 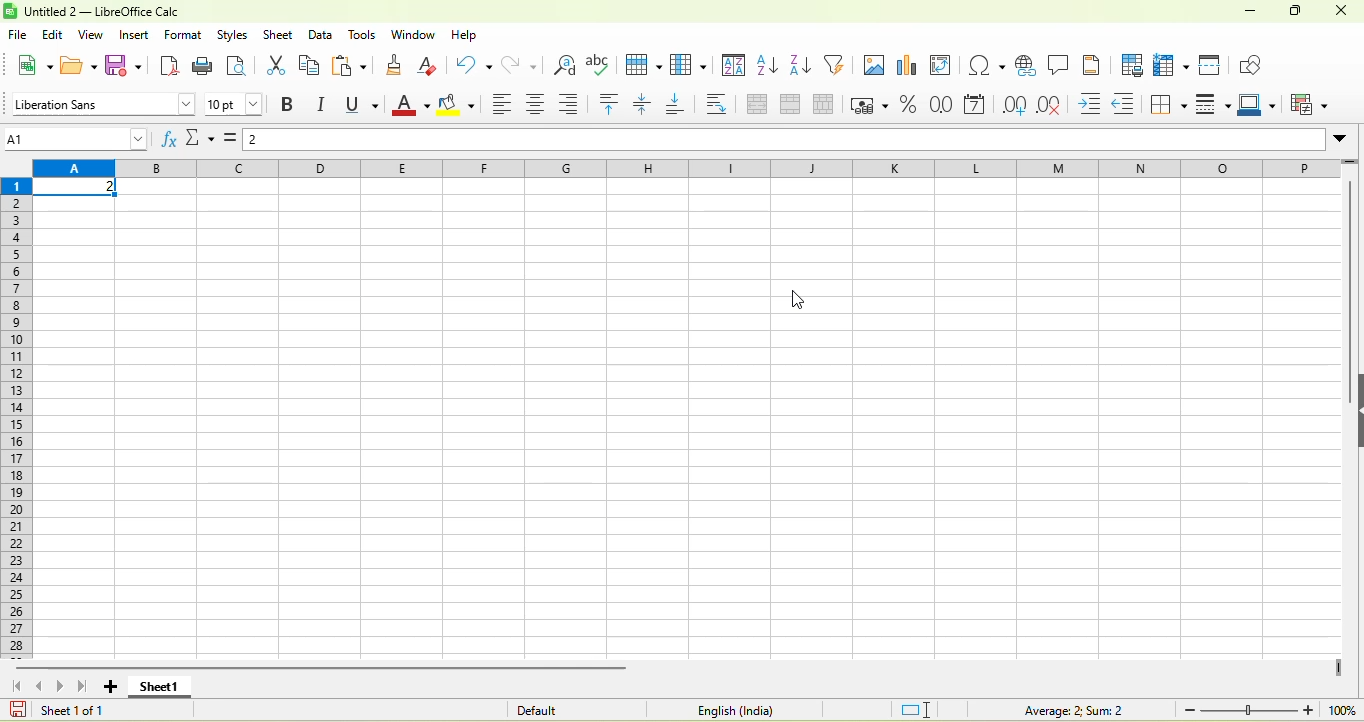 I want to click on row, so click(x=643, y=65).